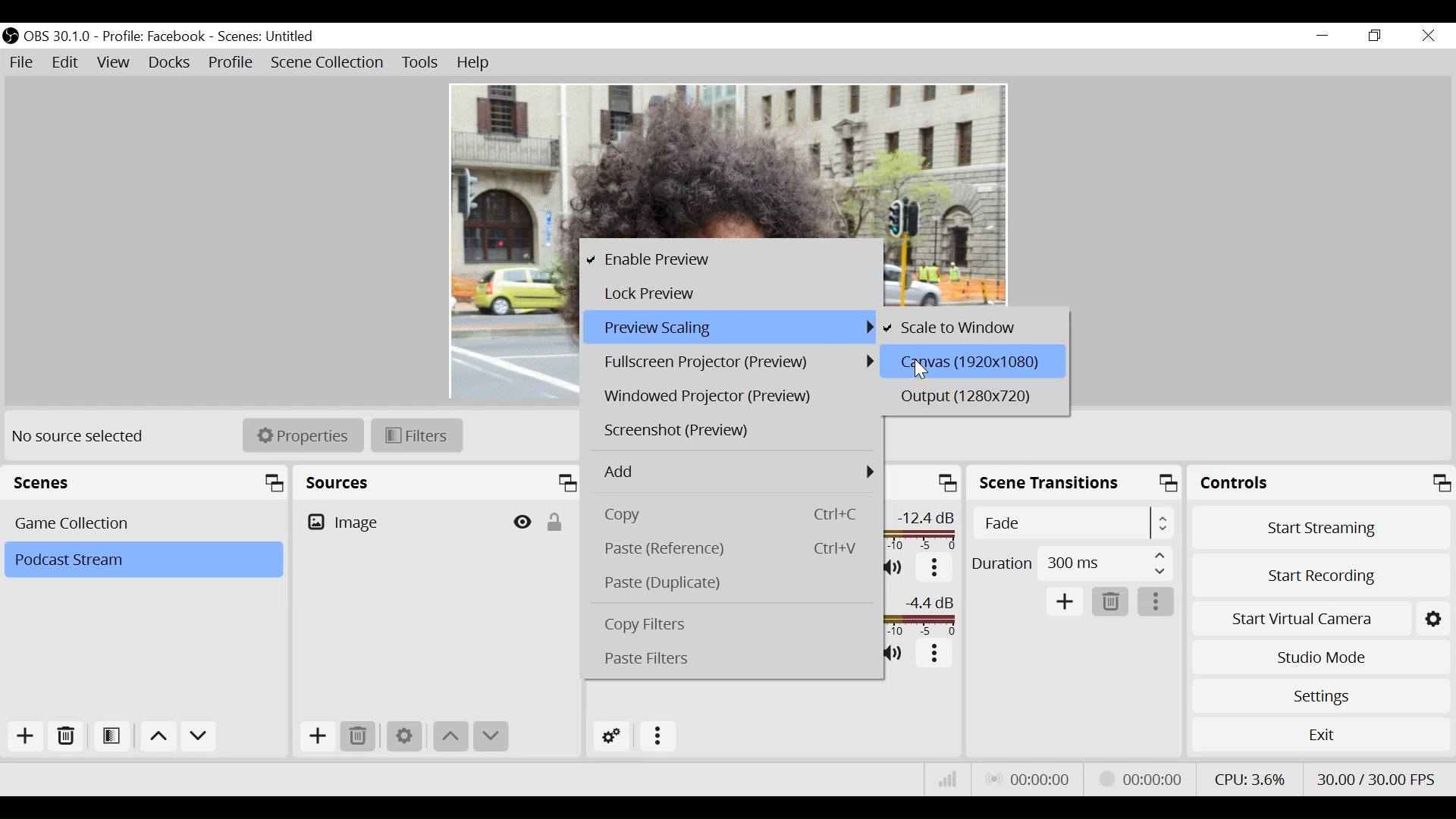  I want to click on Preview Scaling, so click(732, 328).